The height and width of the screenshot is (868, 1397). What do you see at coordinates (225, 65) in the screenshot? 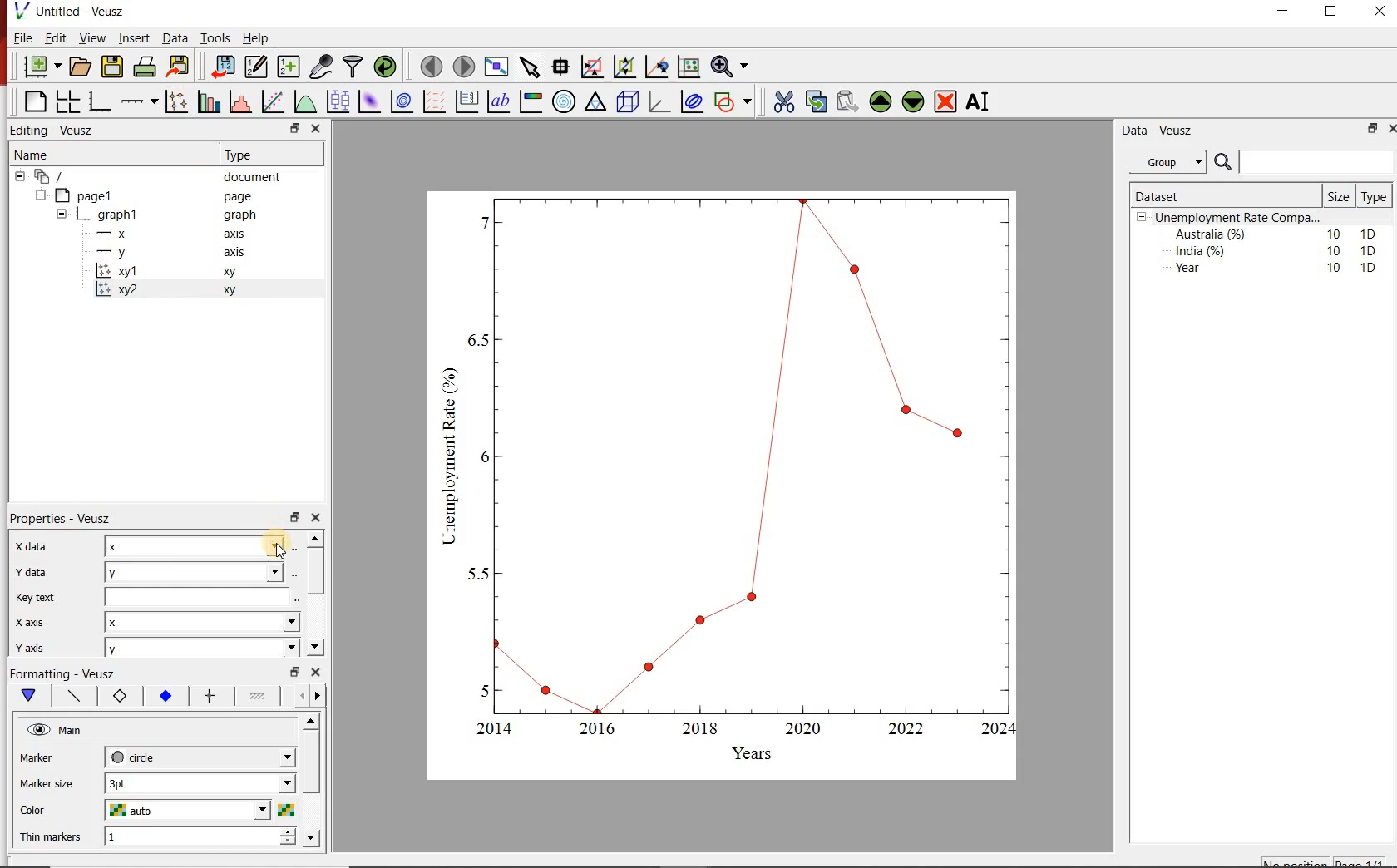
I see `import document` at bounding box center [225, 65].